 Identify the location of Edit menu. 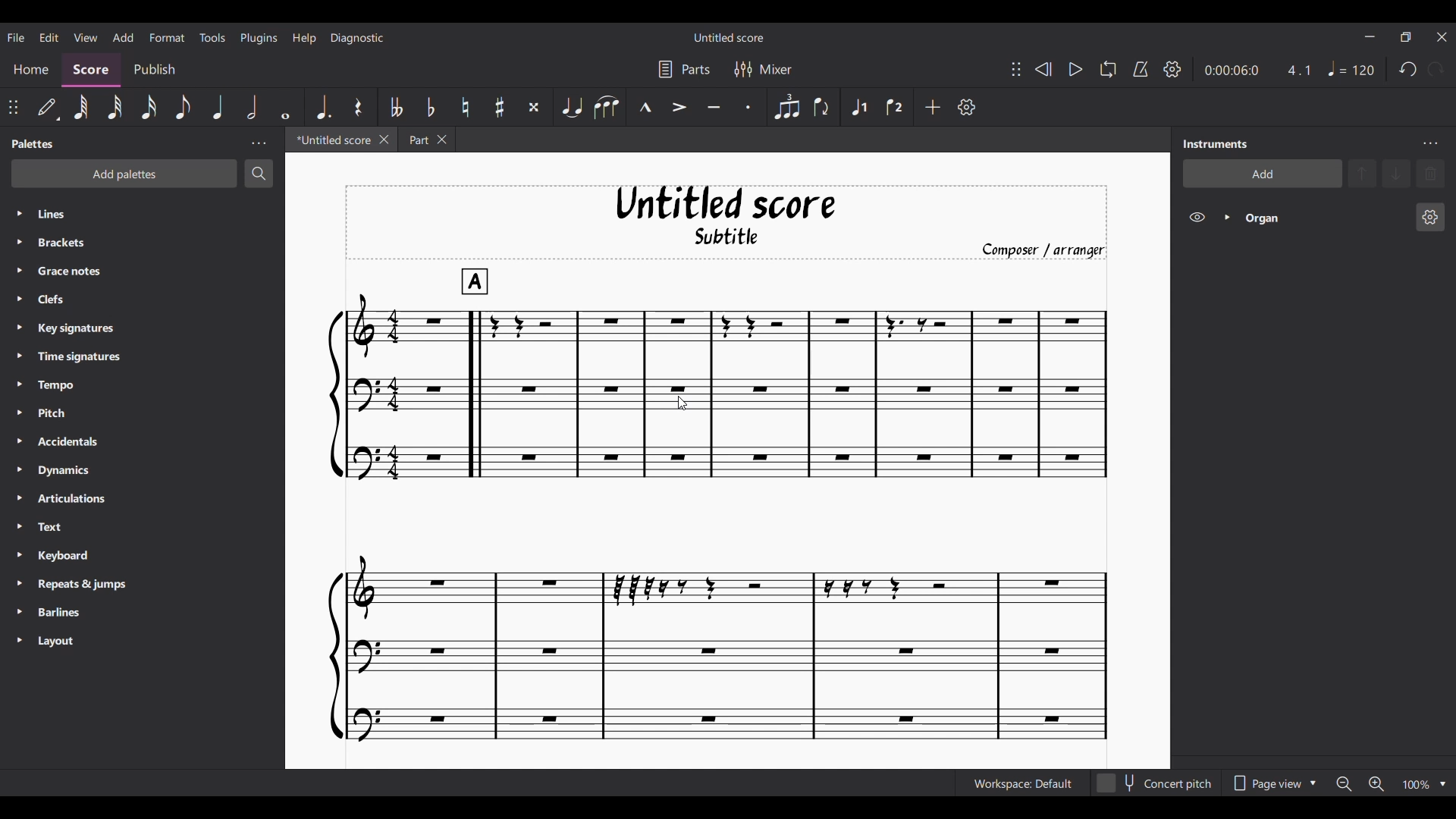
(49, 36).